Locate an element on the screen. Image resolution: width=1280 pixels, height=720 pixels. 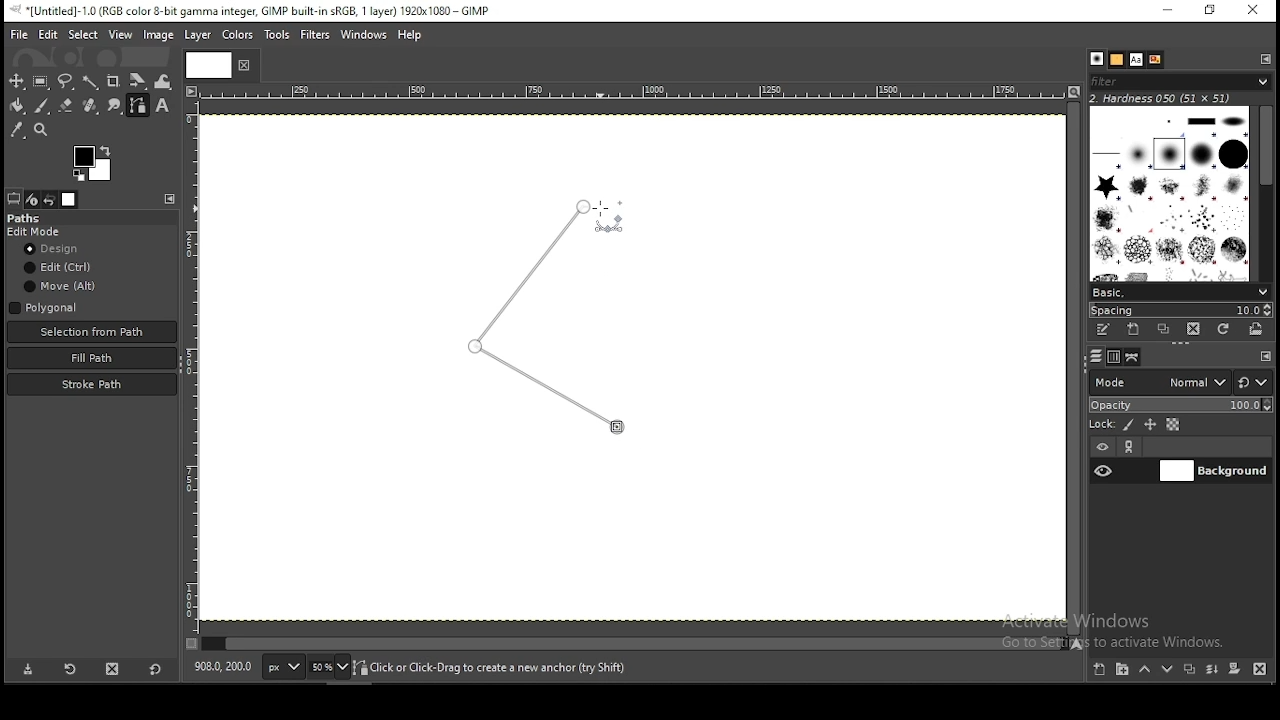
reset to default values is located at coordinates (156, 674).